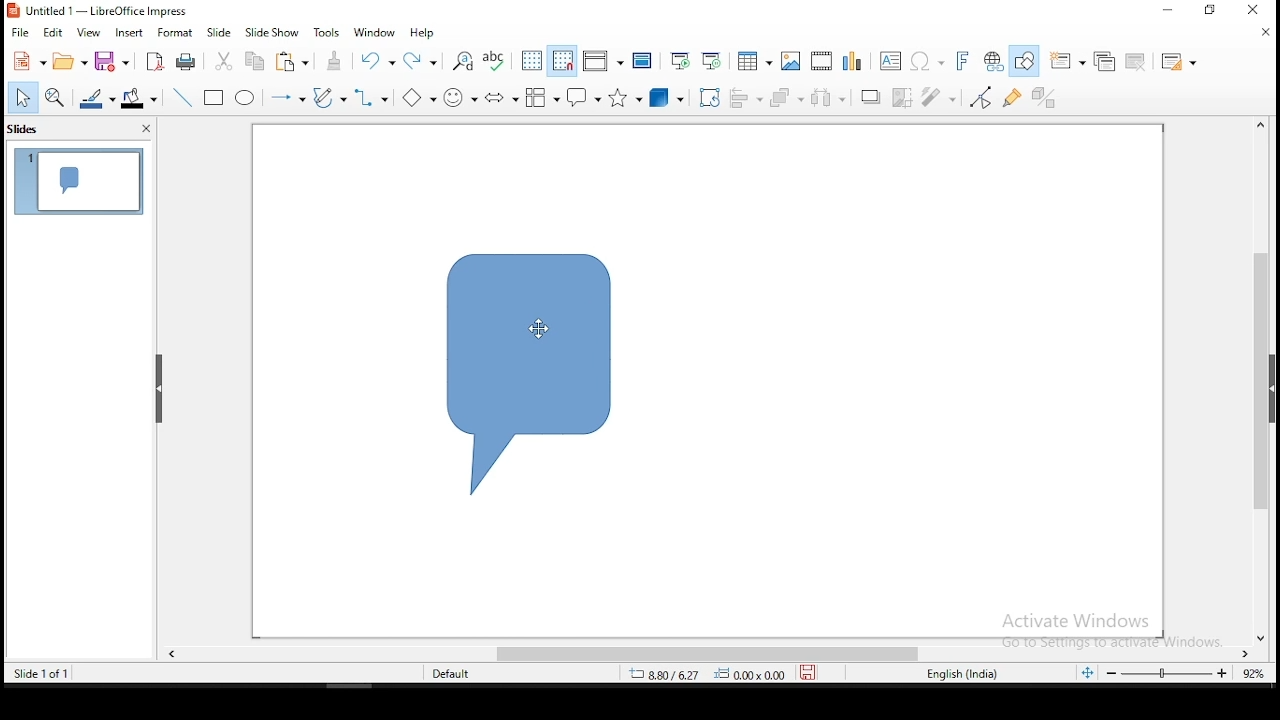 The height and width of the screenshot is (720, 1280). What do you see at coordinates (983, 98) in the screenshot?
I see `toggle point edit mode` at bounding box center [983, 98].